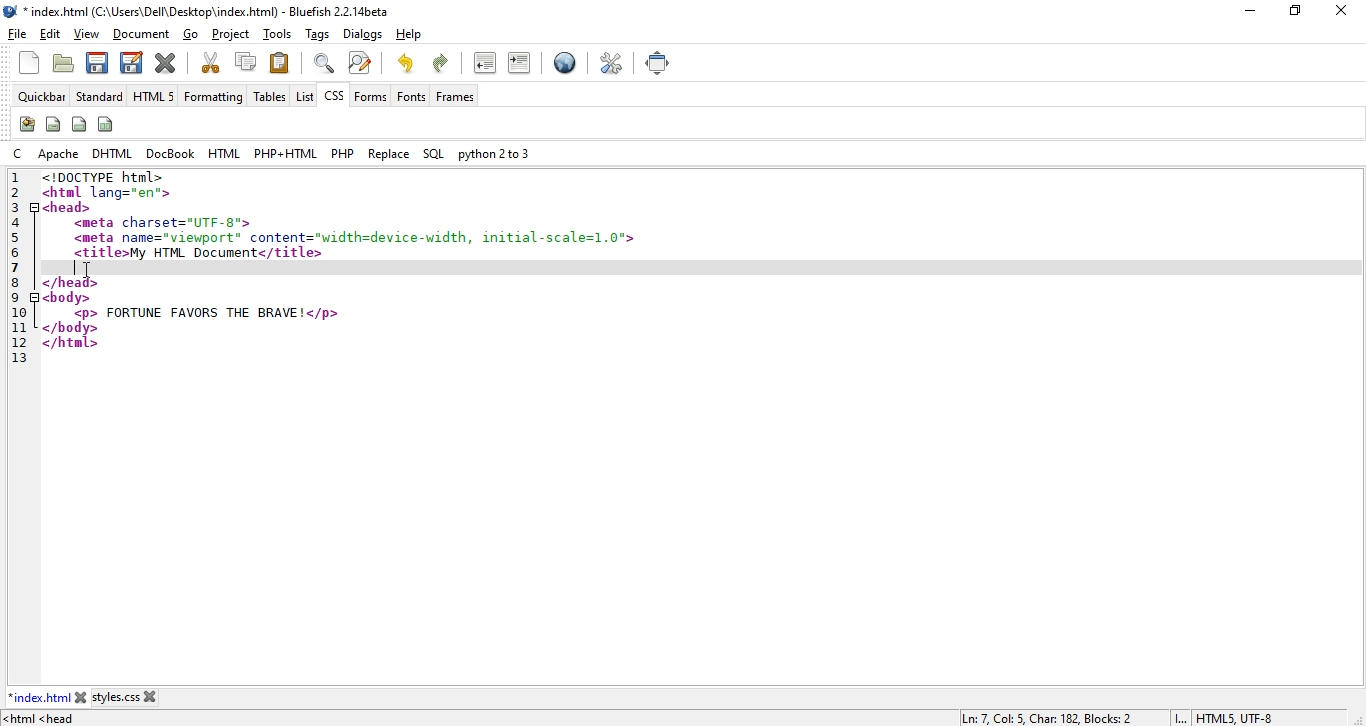 The height and width of the screenshot is (726, 1366). I want to click on php-html, so click(285, 154).